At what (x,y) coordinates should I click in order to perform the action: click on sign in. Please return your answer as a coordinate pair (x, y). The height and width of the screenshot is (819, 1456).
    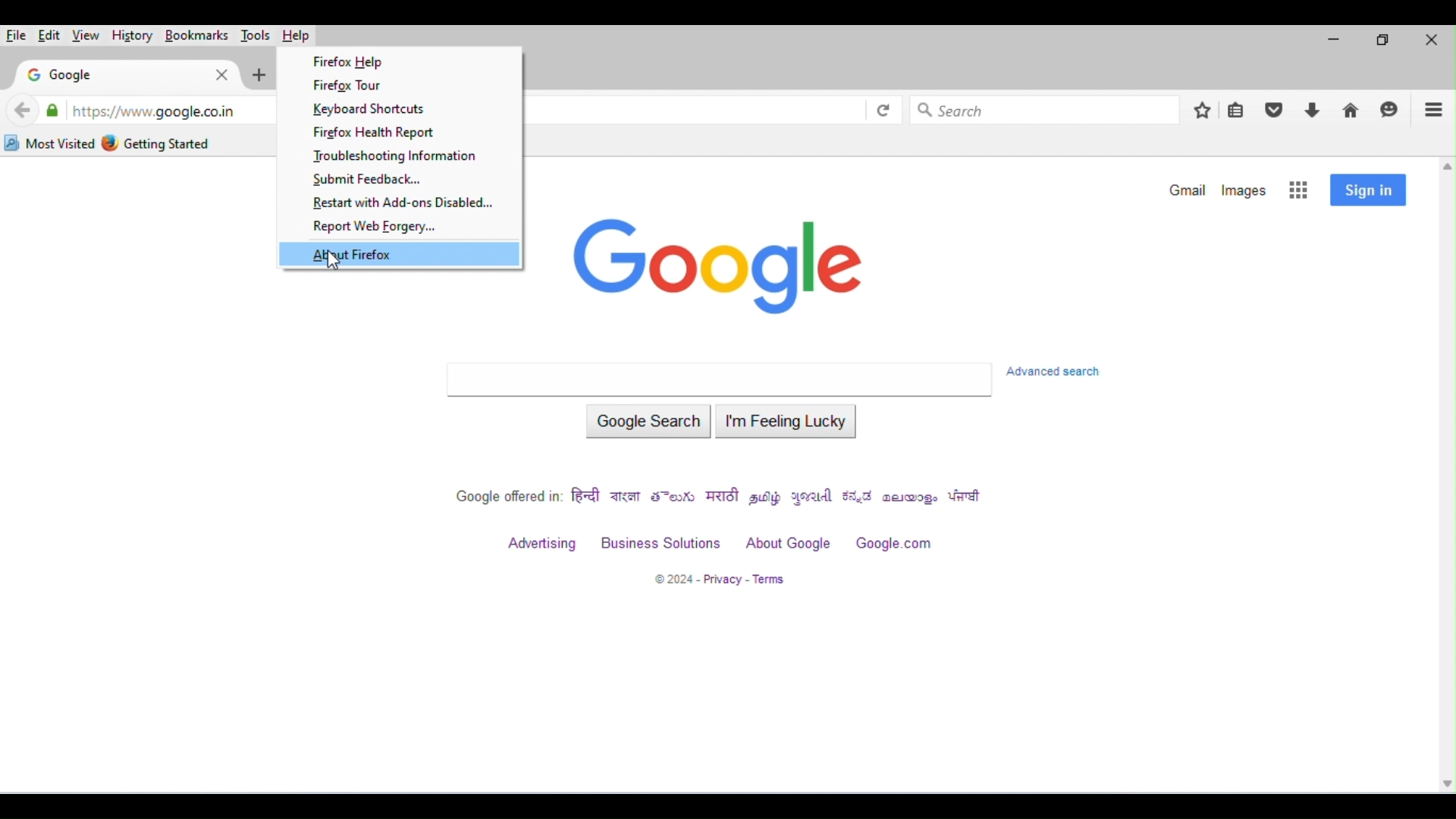
    Looking at the image, I should click on (1368, 190).